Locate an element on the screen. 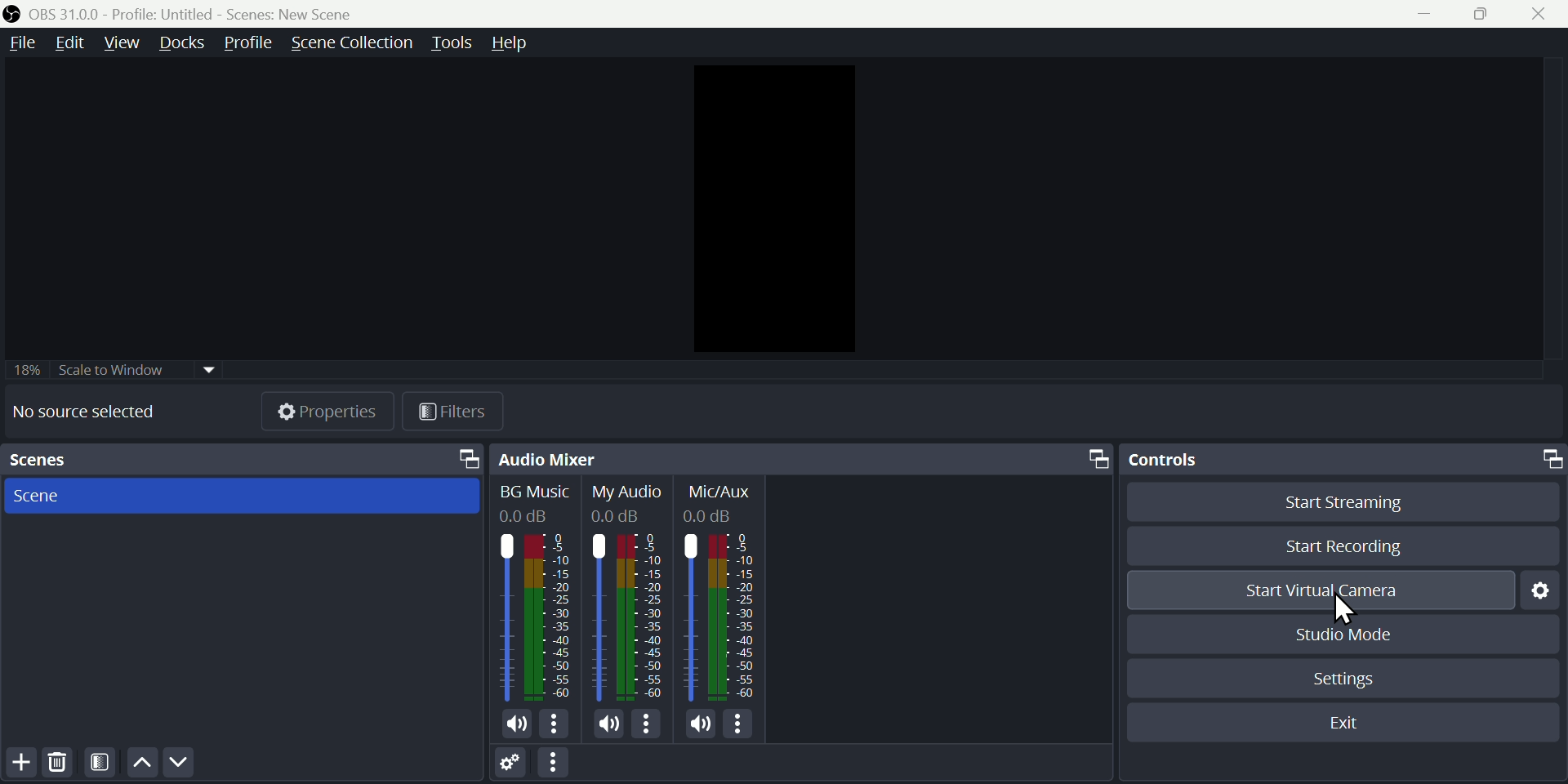 This screenshot has height=784, width=1568. Audiobar is located at coordinates (628, 610).